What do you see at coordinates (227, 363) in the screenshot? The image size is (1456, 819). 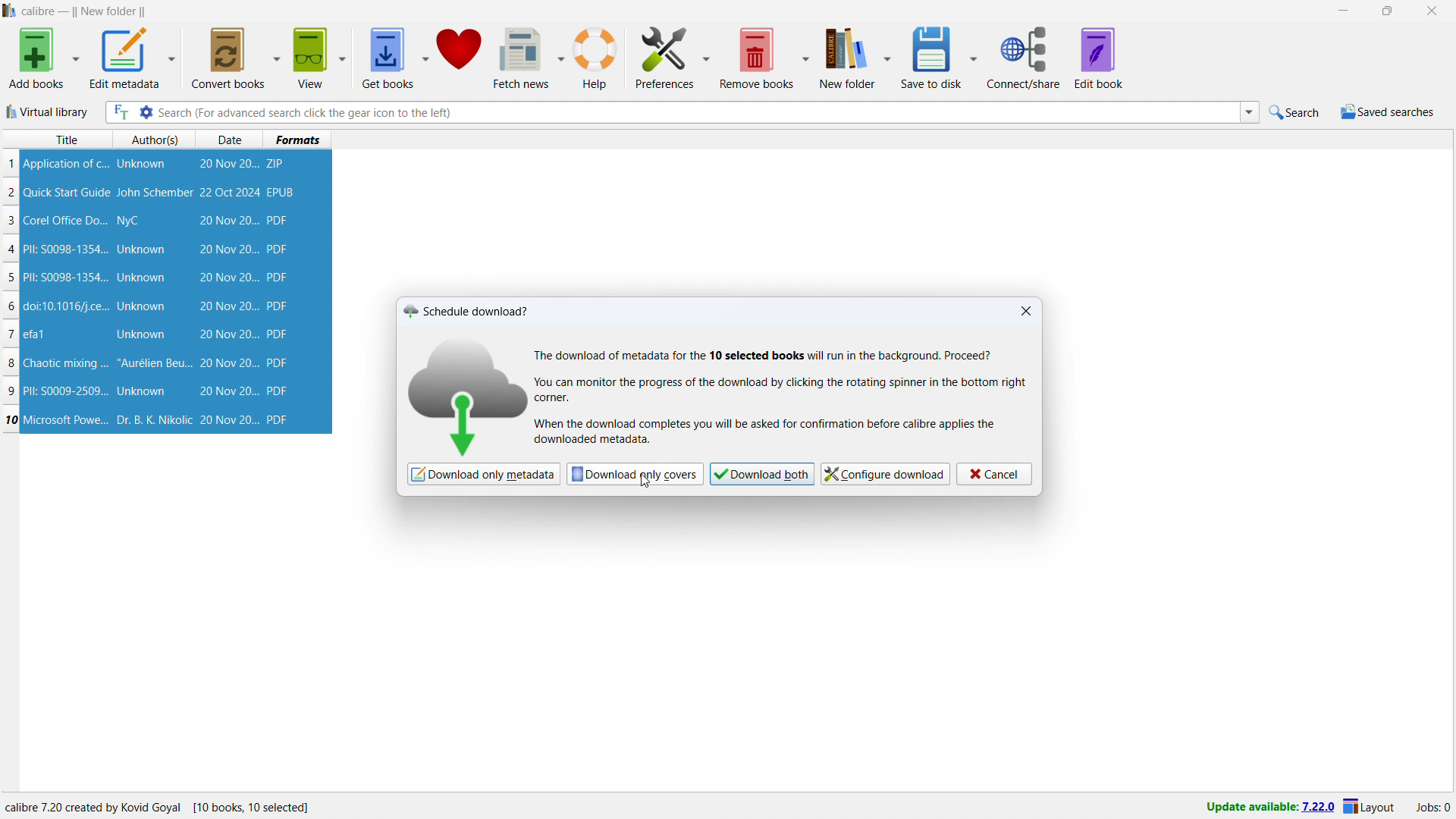 I see `20 Nov 20...` at bounding box center [227, 363].